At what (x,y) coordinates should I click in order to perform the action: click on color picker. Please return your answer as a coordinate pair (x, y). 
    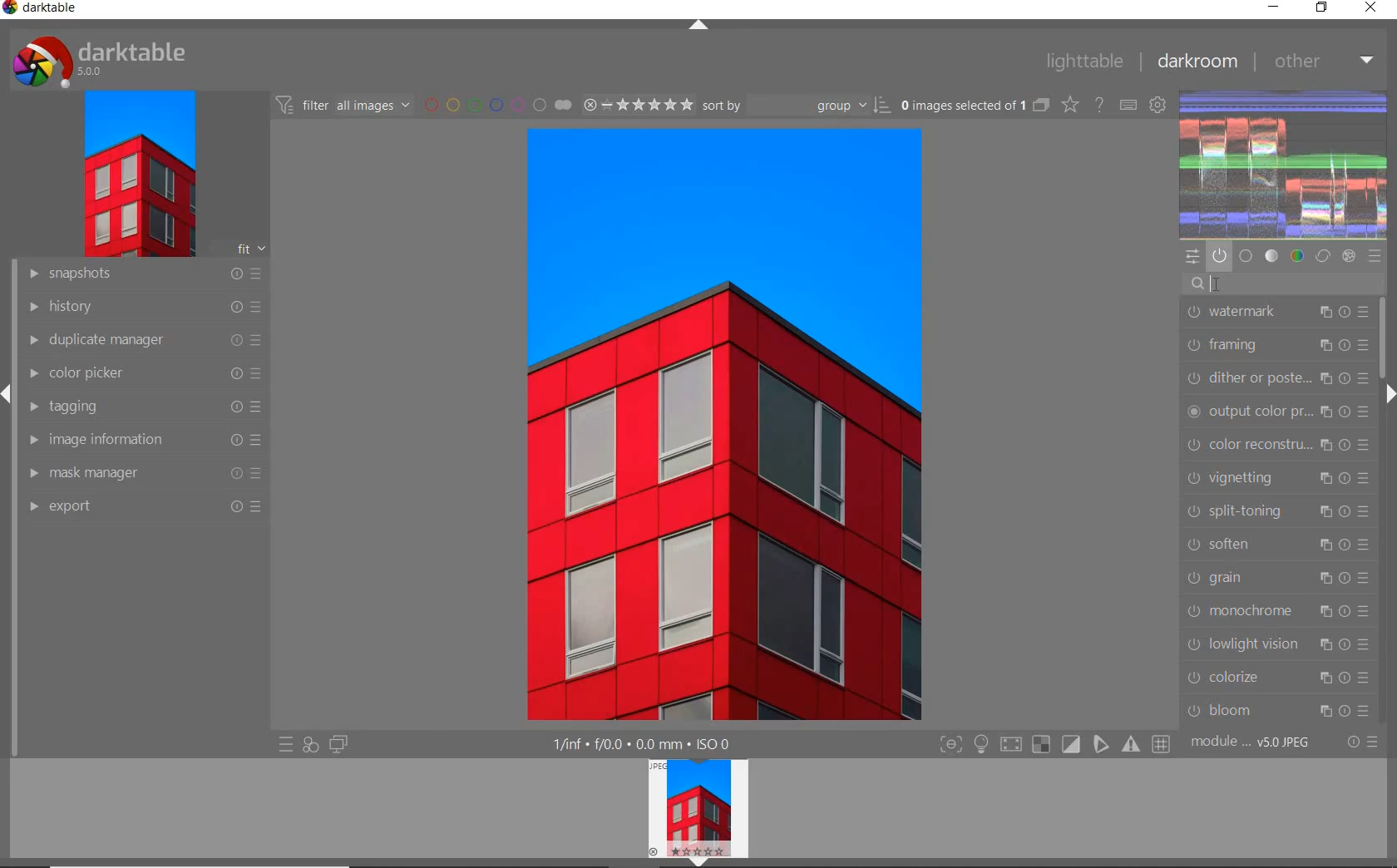
    Looking at the image, I should click on (142, 376).